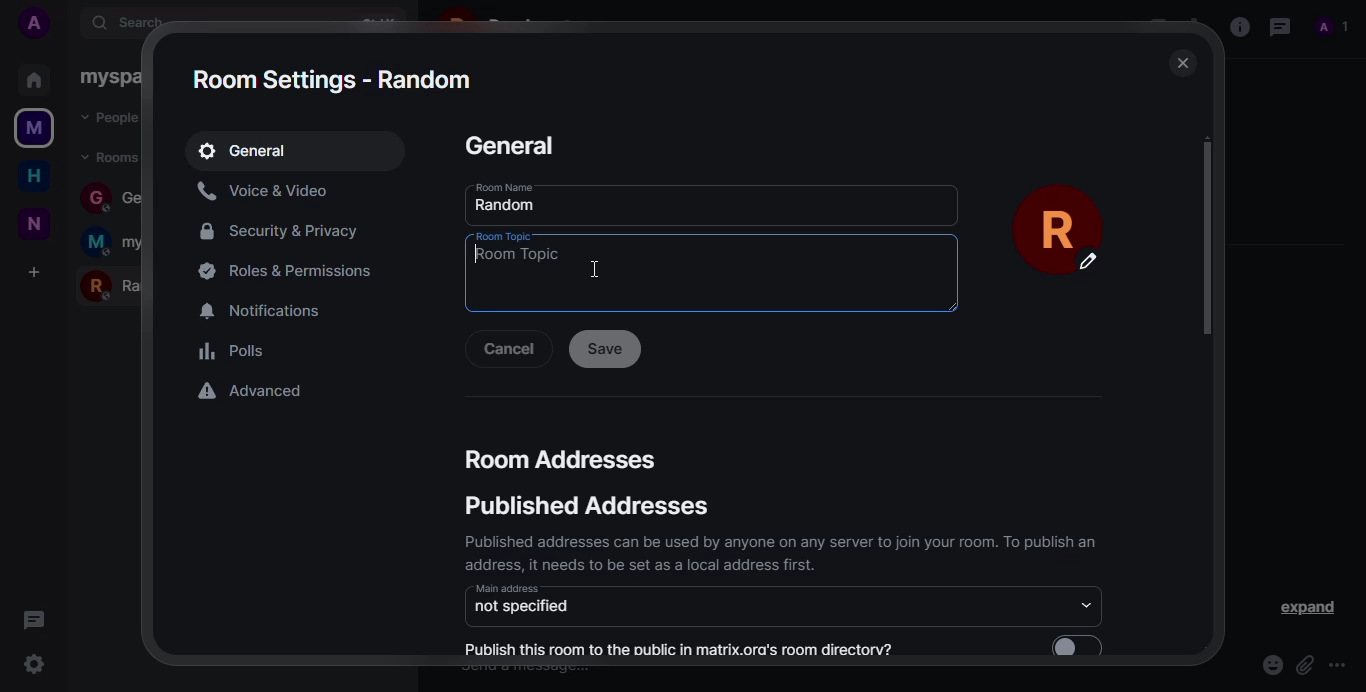  I want to click on random, so click(507, 206).